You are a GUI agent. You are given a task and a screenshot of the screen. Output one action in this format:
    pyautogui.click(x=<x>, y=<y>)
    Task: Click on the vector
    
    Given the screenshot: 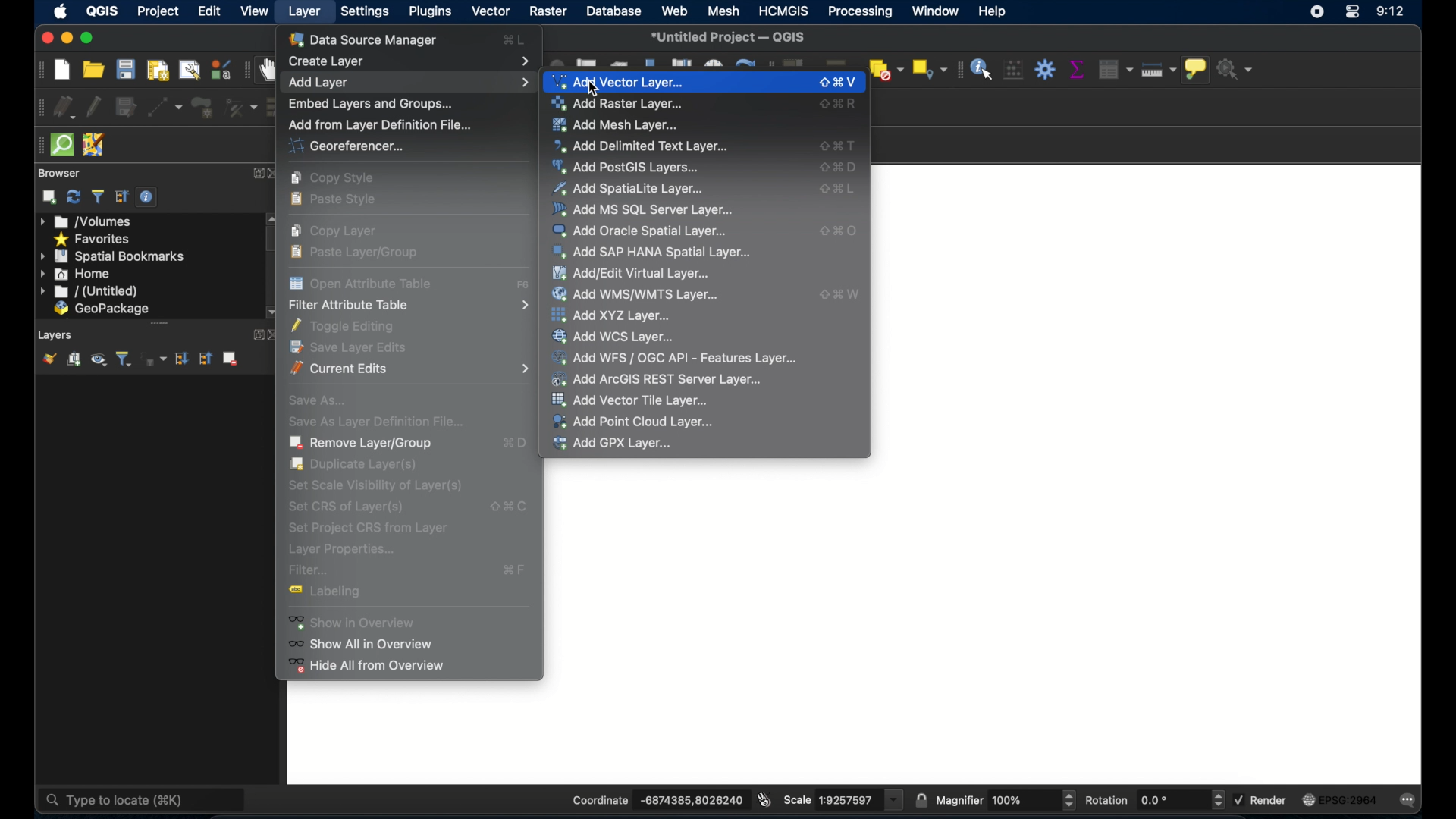 What is the action you would take?
    pyautogui.click(x=490, y=11)
    